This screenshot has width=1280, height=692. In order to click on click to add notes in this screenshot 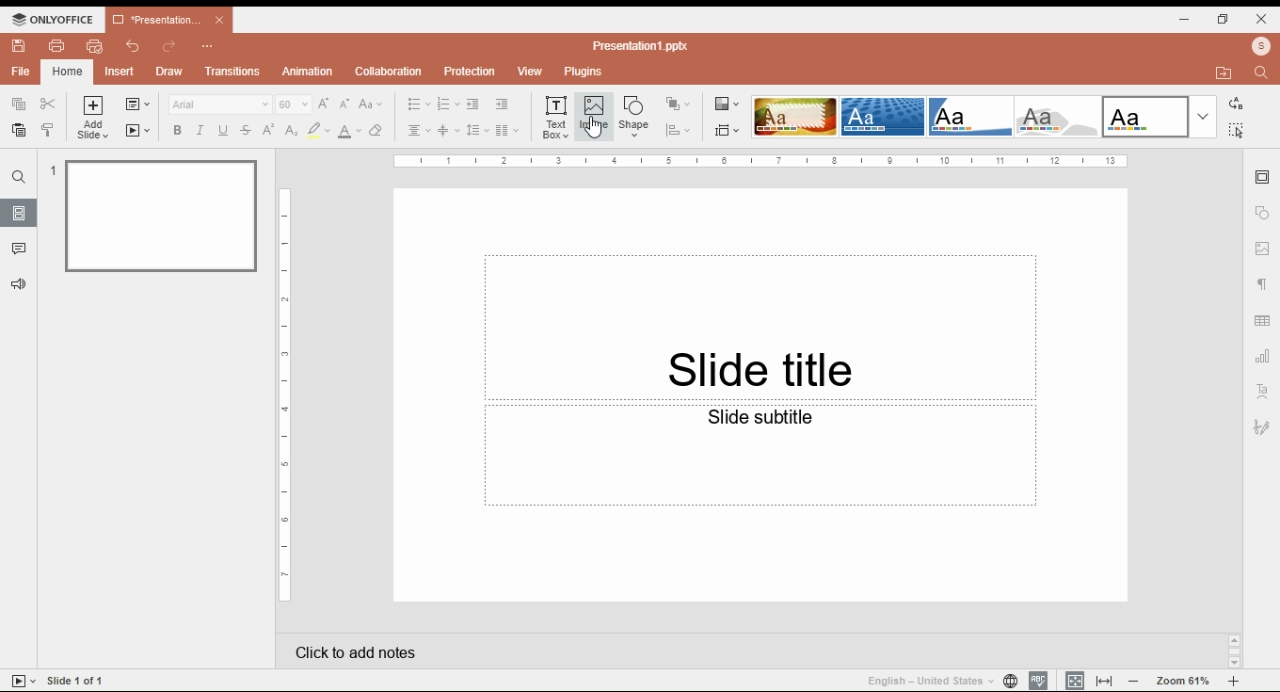, I will do `click(732, 647)`.